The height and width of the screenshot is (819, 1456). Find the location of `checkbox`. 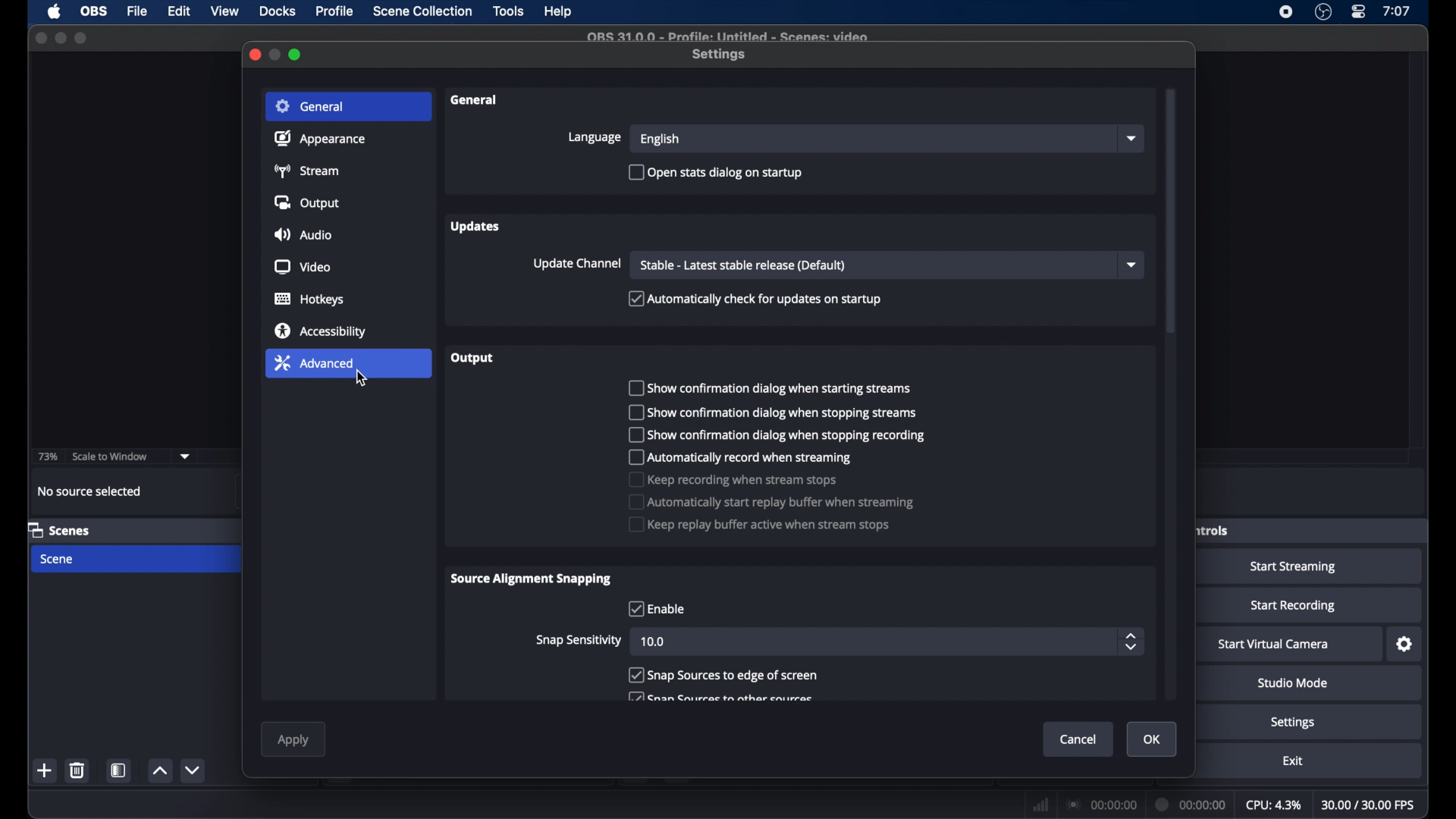

checkbox is located at coordinates (733, 479).